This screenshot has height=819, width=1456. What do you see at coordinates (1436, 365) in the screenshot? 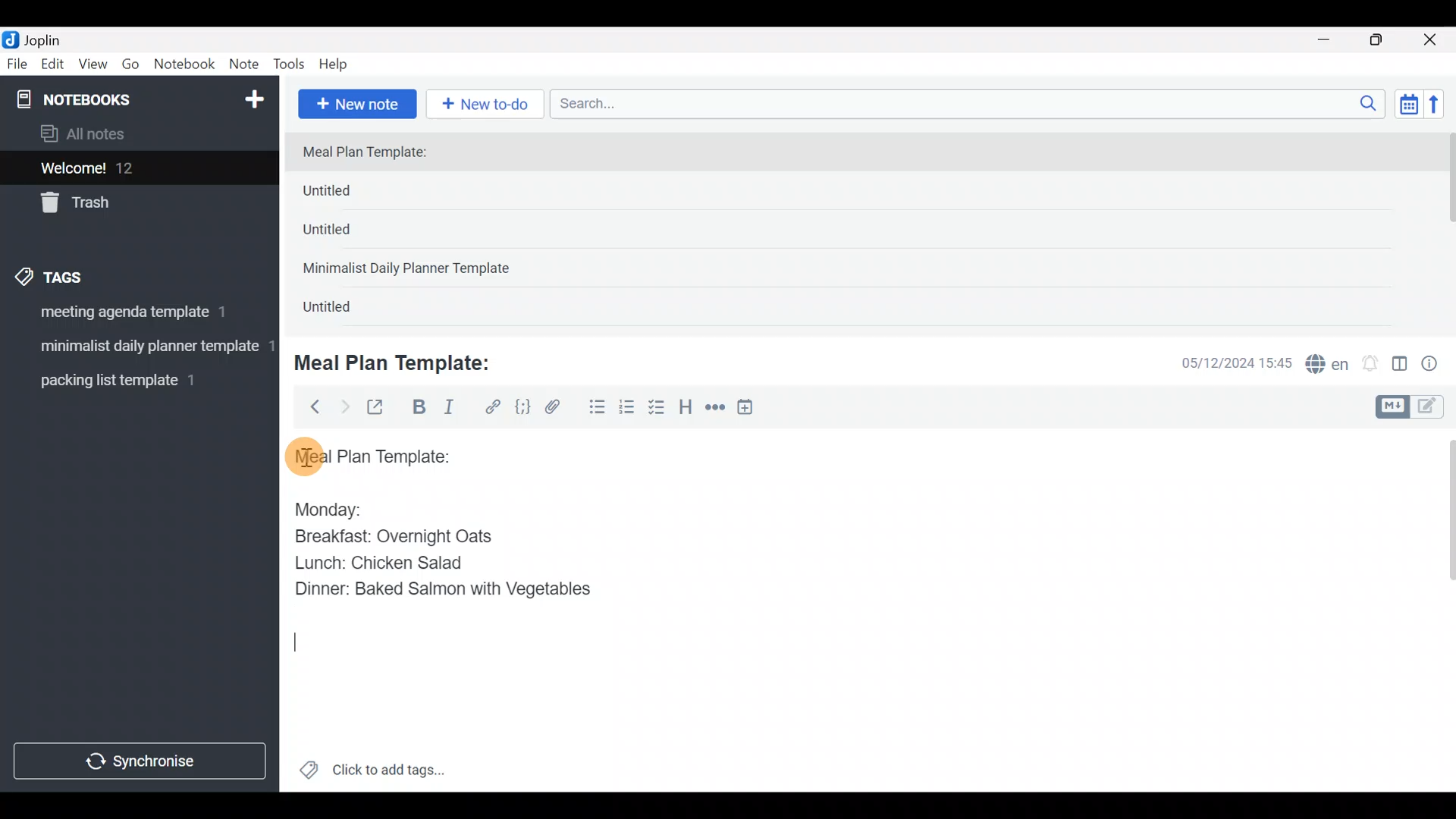
I see `Note properties` at bounding box center [1436, 365].